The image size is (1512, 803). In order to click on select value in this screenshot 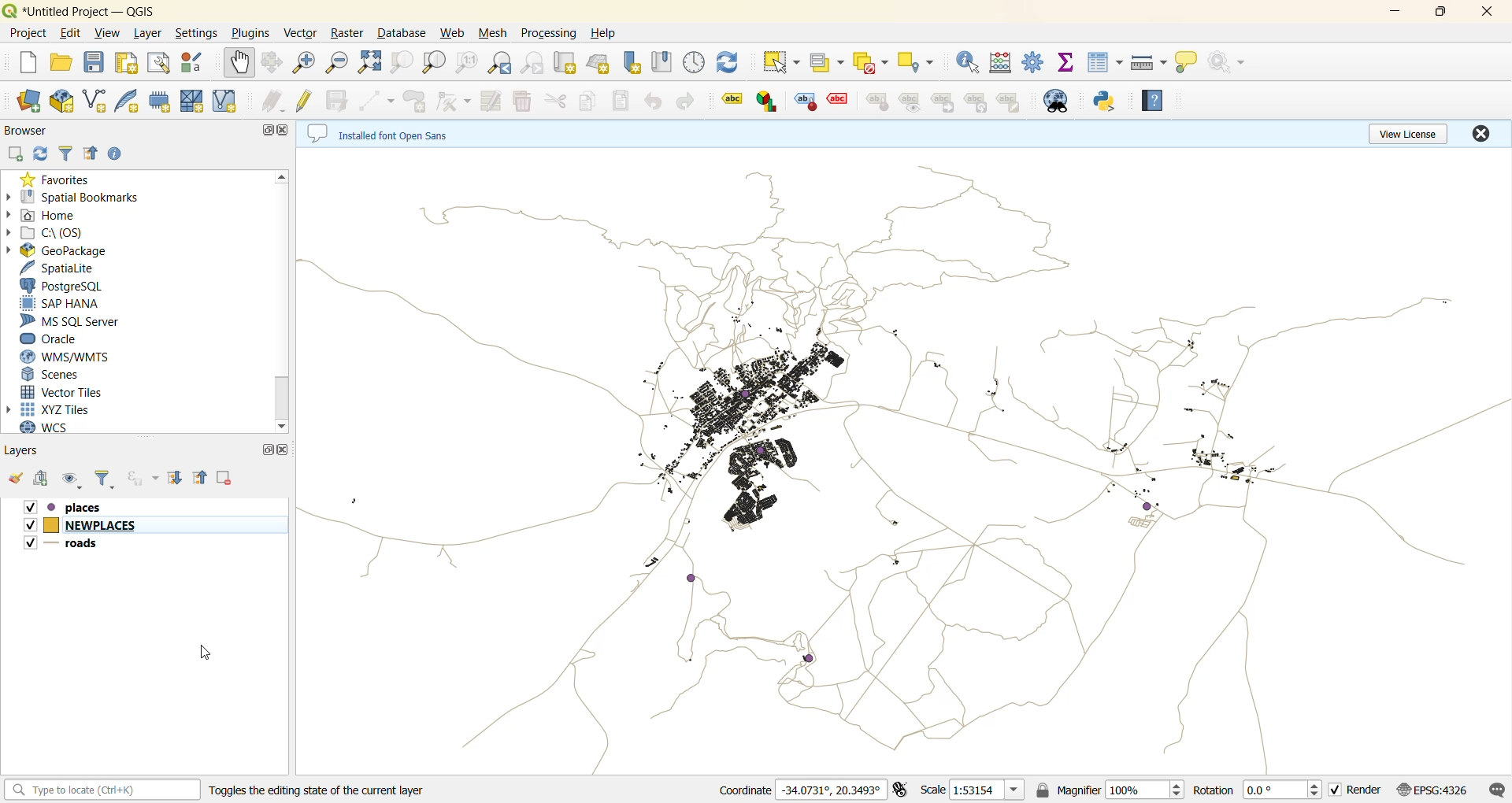, I will do `click(828, 66)`.